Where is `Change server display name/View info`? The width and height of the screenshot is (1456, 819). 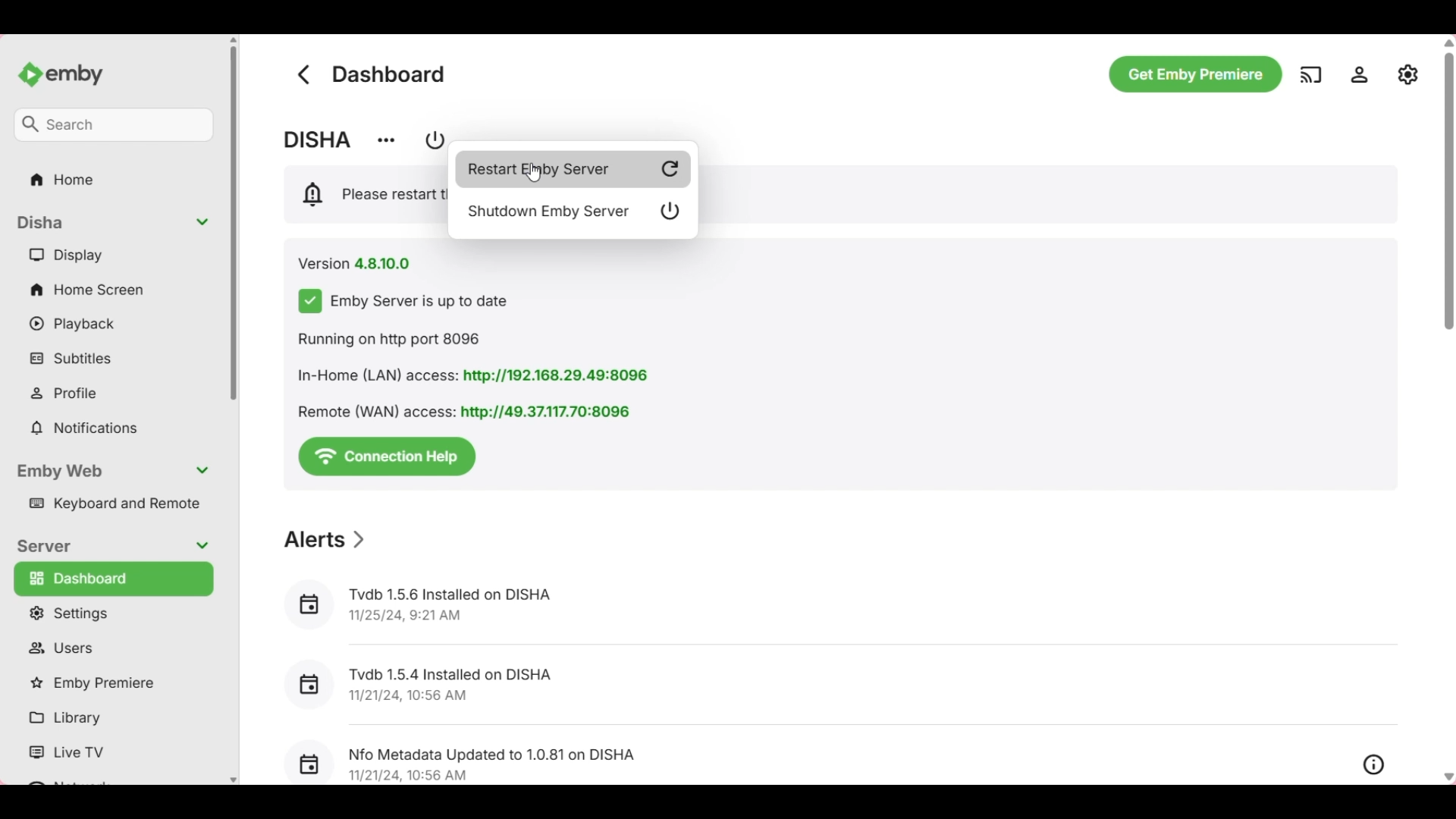
Change server display name/View info is located at coordinates (385, 141).